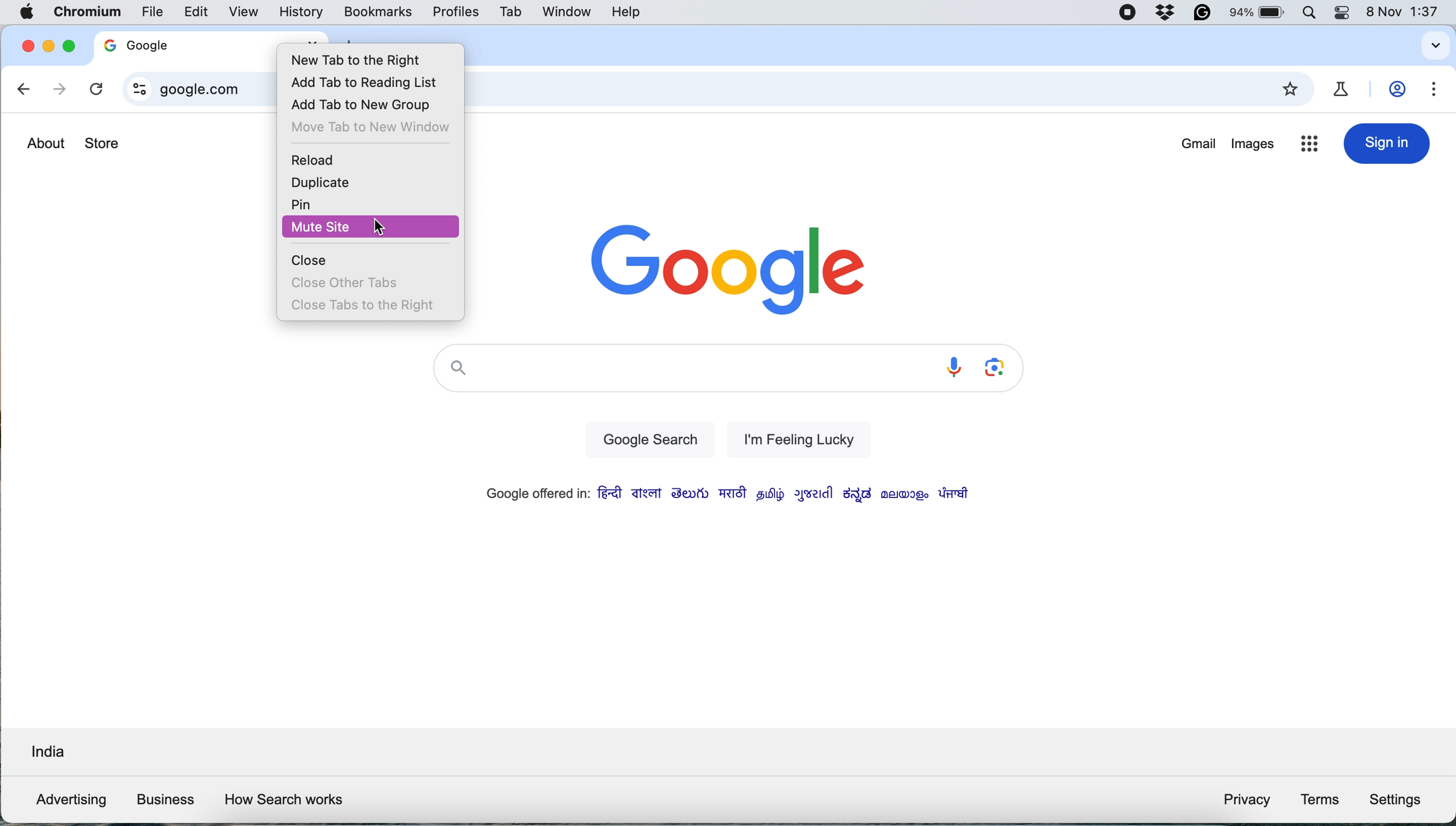 The height and width of the screenshot is (826, 1456). I want to click on reload, so click(319, 161).